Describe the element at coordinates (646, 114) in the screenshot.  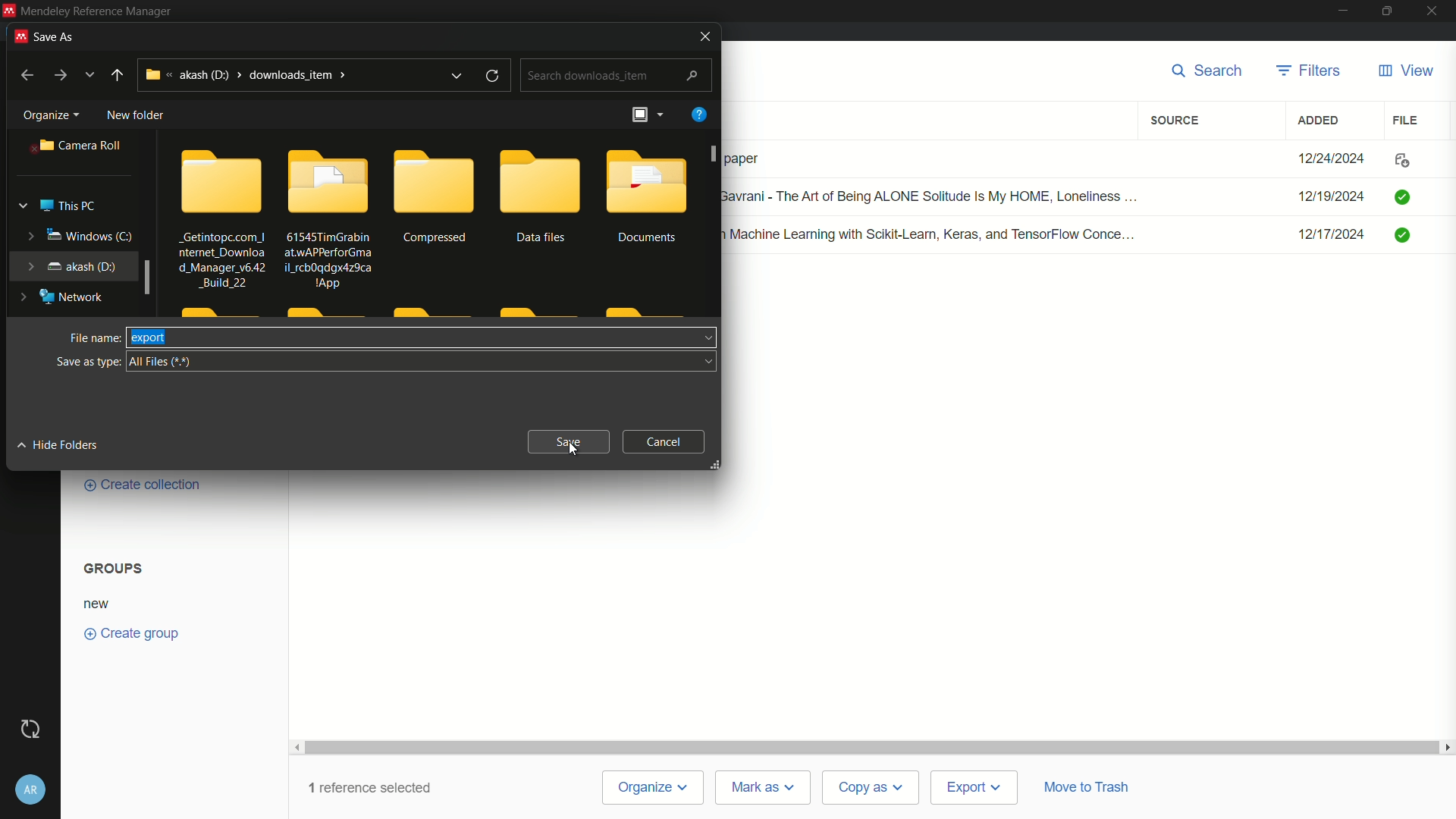
I see `change view mode` at that location.